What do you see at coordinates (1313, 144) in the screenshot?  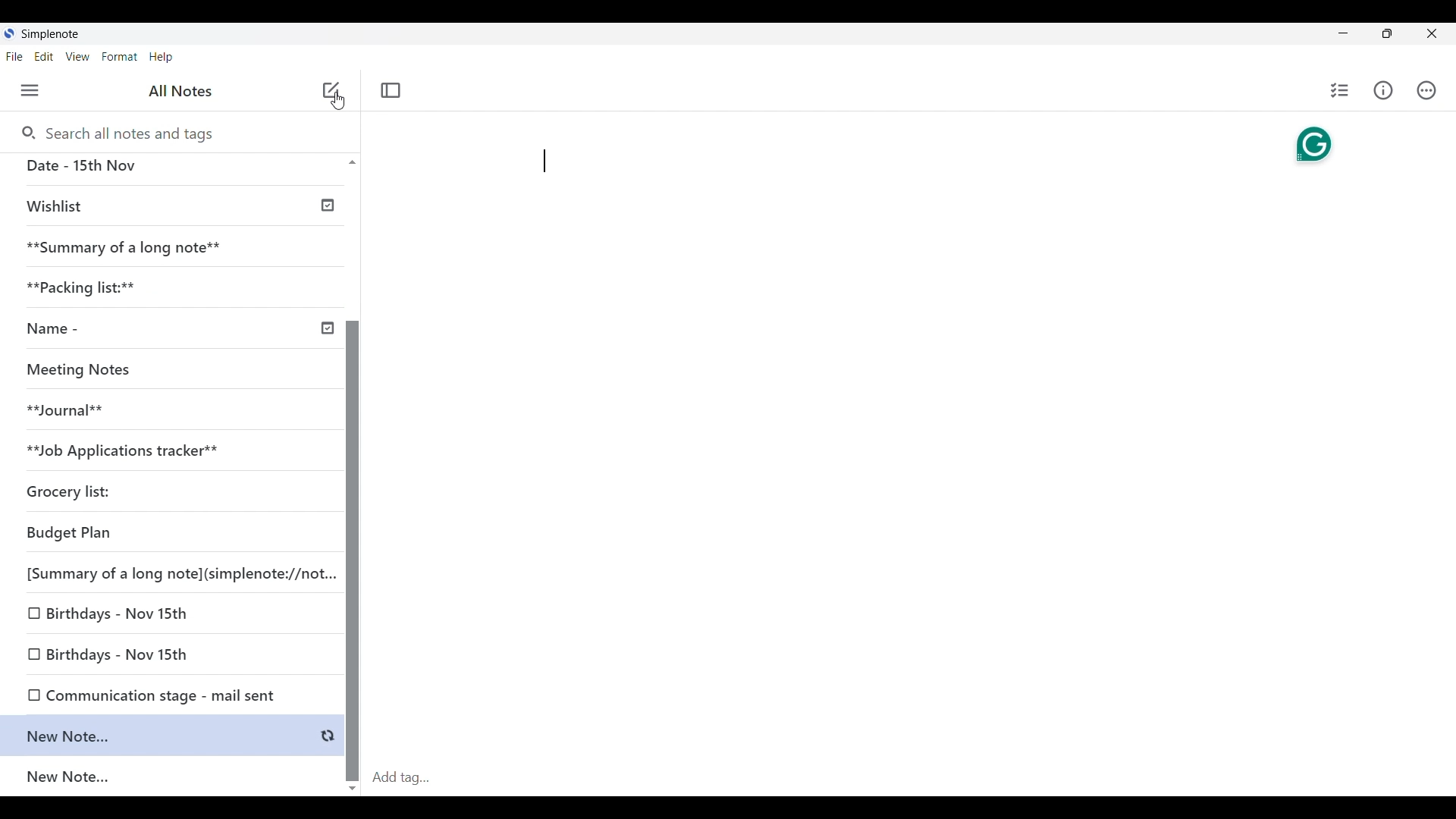 I see `Grammarly extension` at bounding box center [1313, 144].